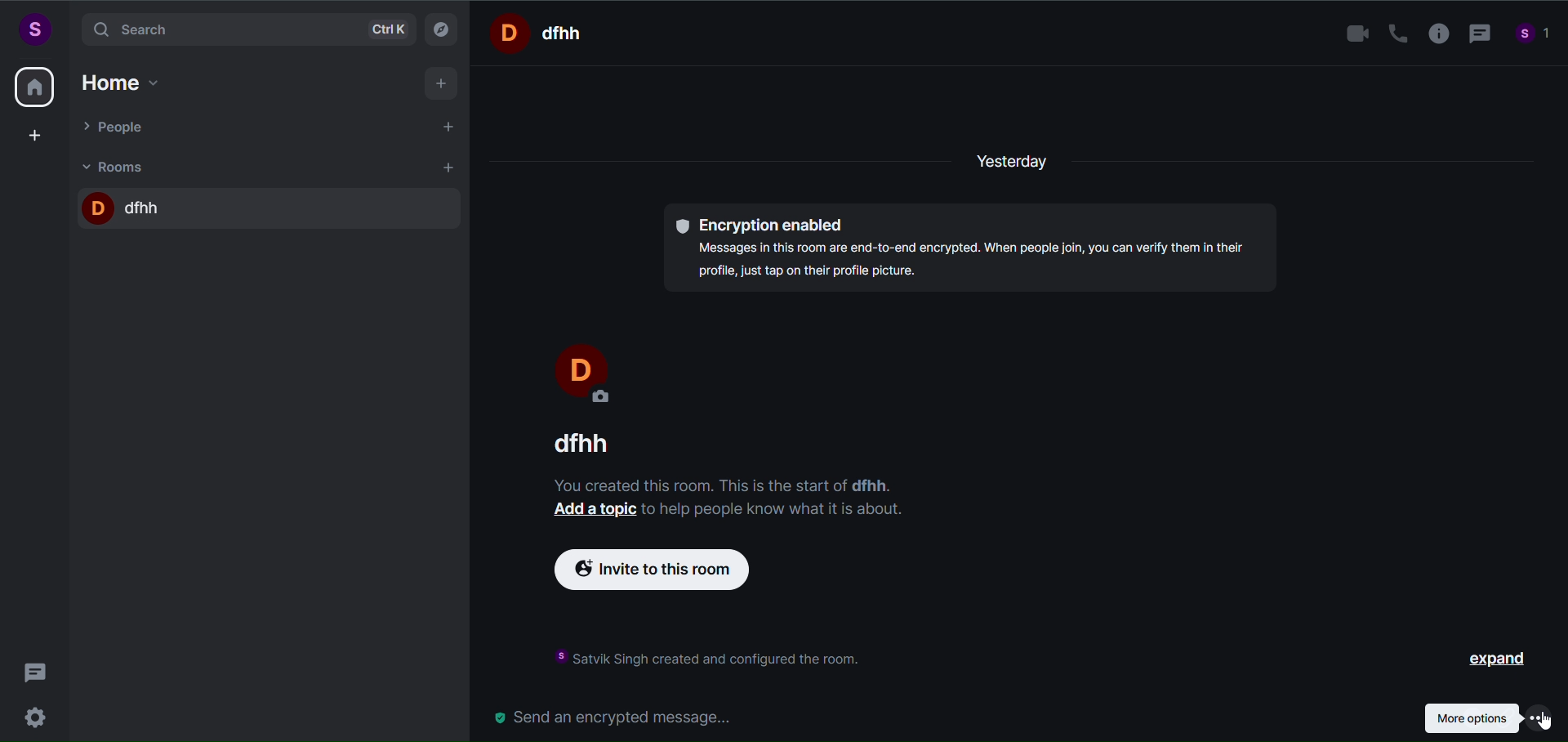  I want to click on video call, so click(1353, 34).